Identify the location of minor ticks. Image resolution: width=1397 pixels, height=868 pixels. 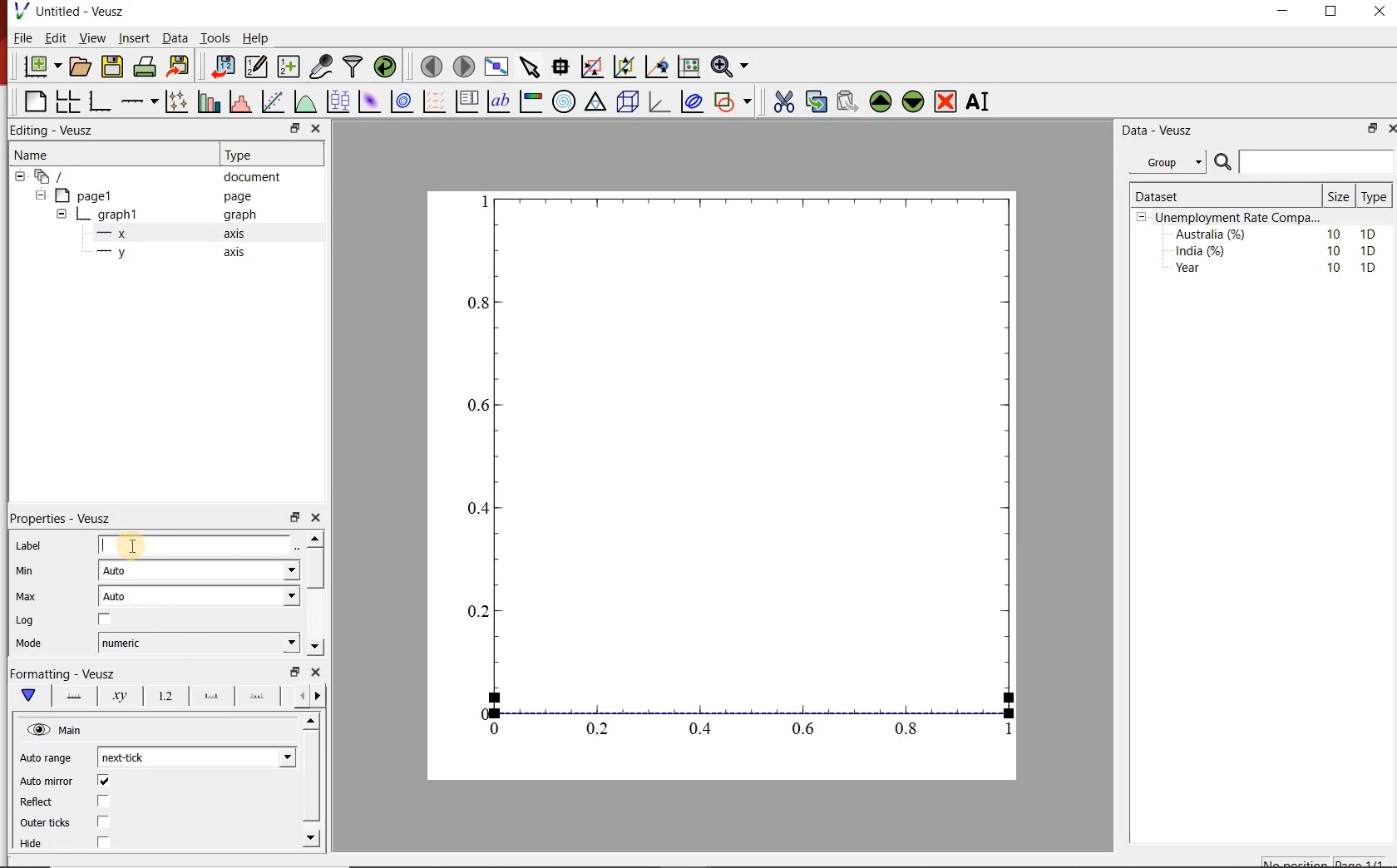
(258, 694).